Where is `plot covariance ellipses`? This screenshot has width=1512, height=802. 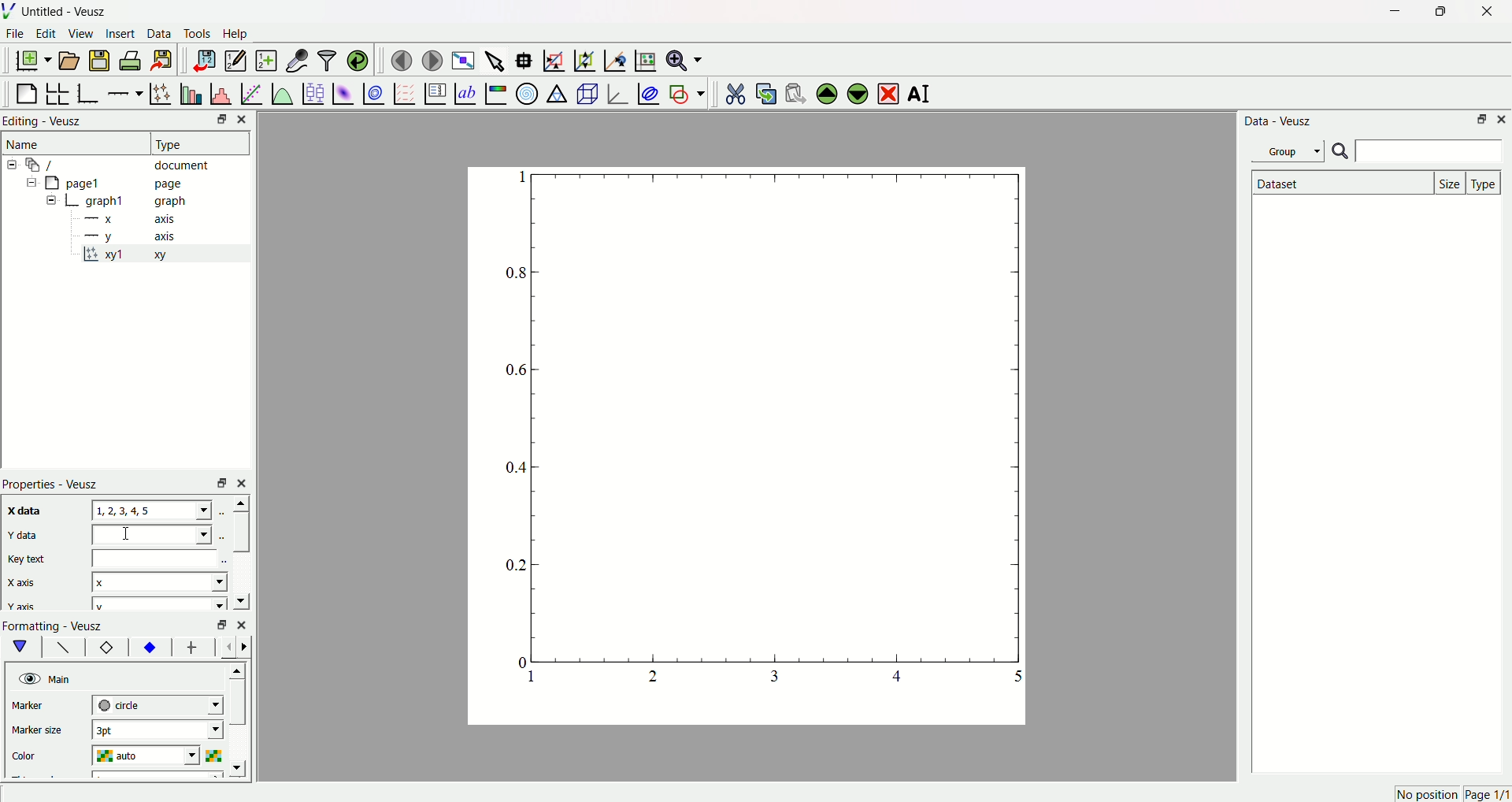 plot covariance ellipses is located at coordinates (647, 91).